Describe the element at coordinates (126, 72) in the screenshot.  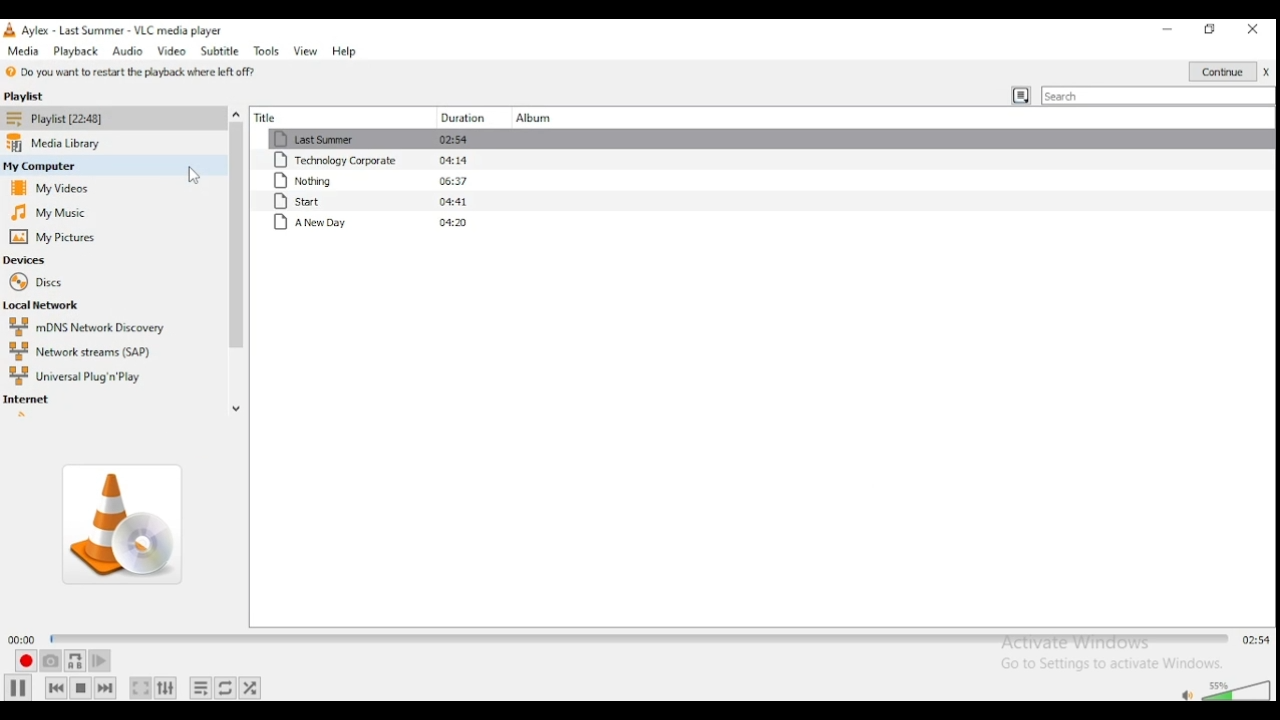
I see `do you want to restart the playback where left of?` at that location.